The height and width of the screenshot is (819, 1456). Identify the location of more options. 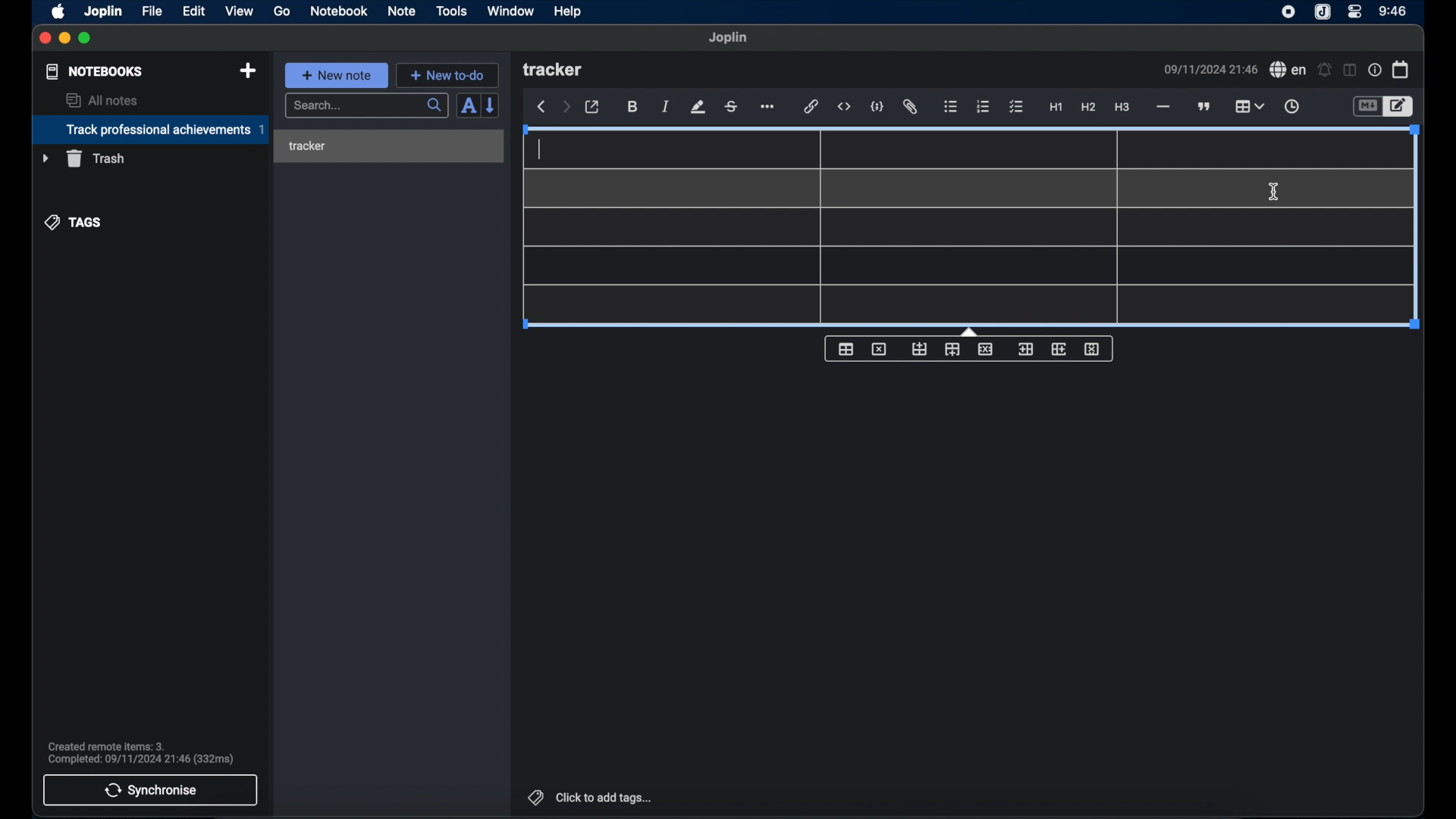
(769, 107).